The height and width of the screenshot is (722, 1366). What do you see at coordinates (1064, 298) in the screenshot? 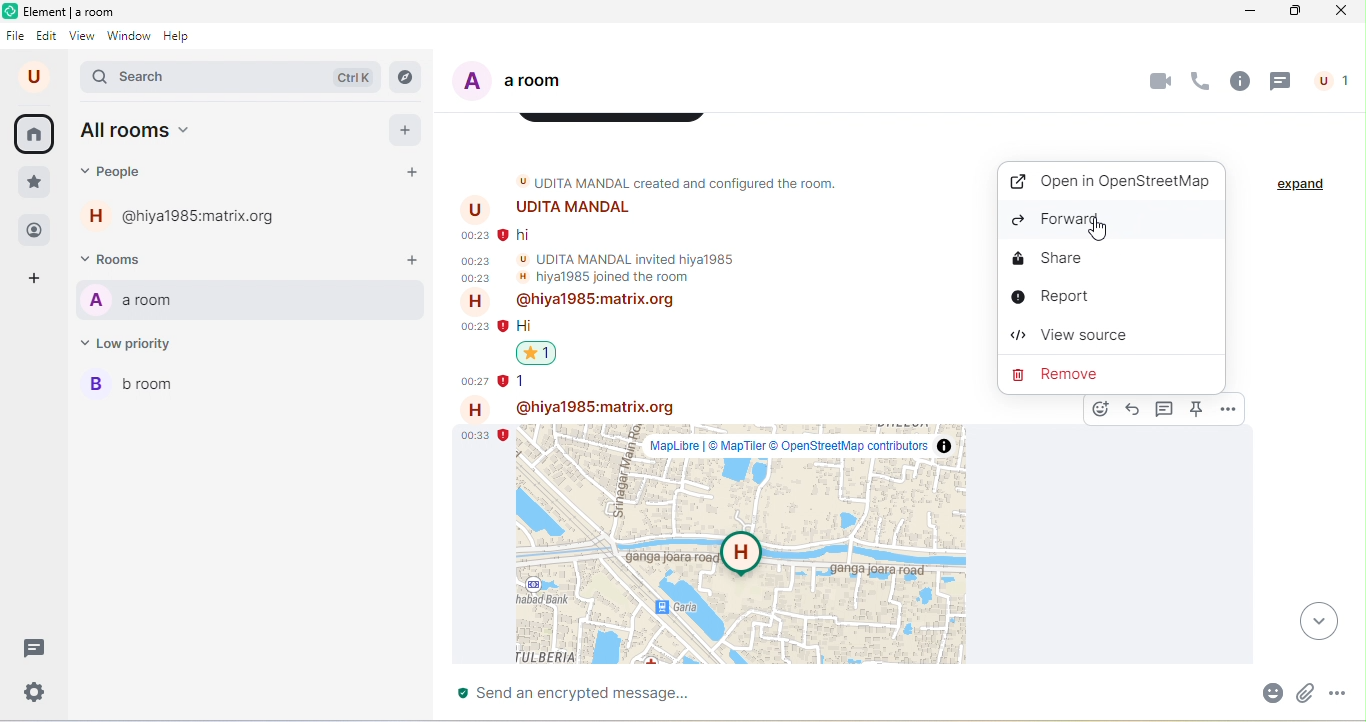
I see `report` at bounding box center [1064, 298].